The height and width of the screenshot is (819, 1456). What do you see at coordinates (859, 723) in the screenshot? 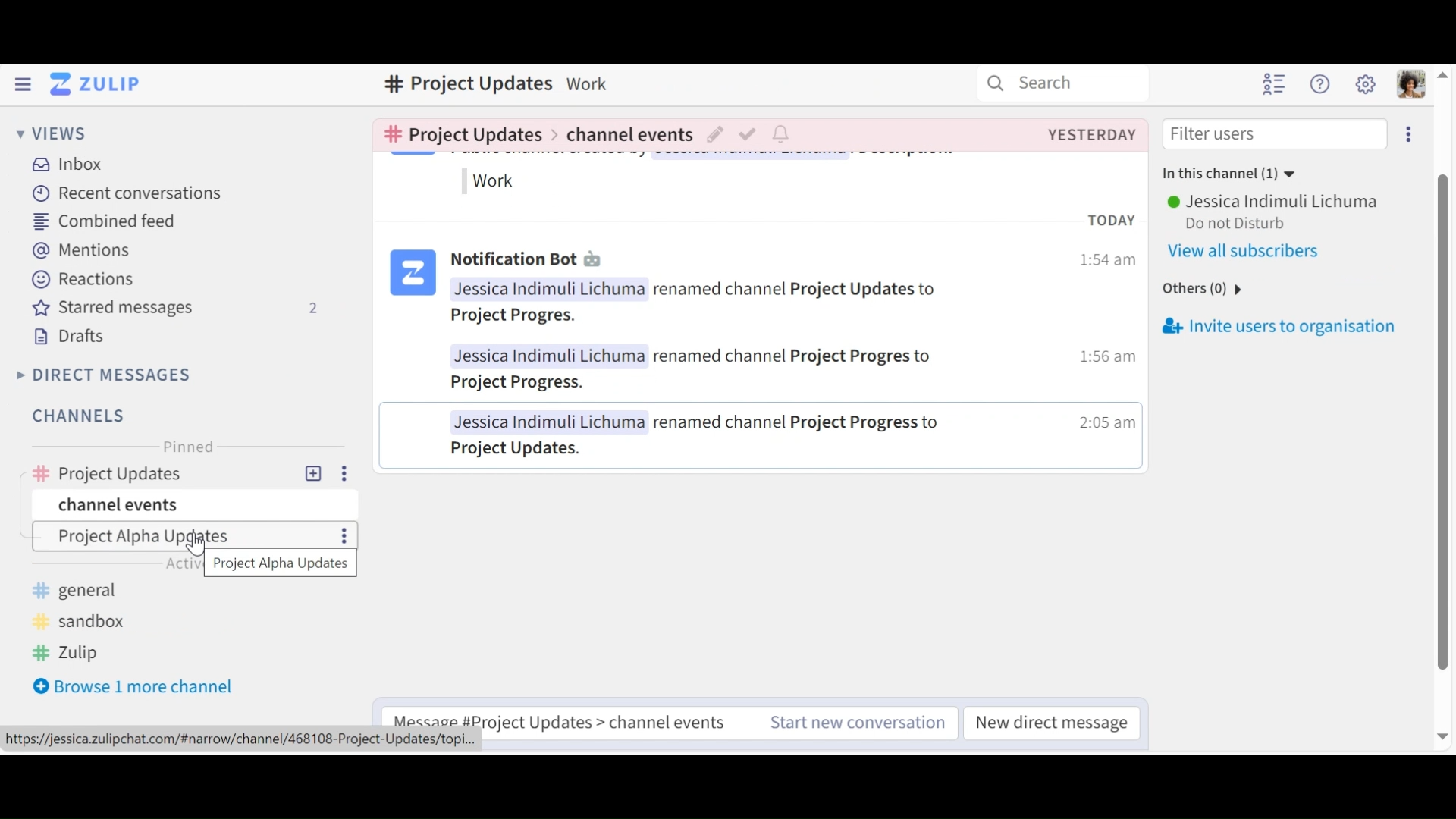
I see `Start new conversation` at bounding box center [859, 723].